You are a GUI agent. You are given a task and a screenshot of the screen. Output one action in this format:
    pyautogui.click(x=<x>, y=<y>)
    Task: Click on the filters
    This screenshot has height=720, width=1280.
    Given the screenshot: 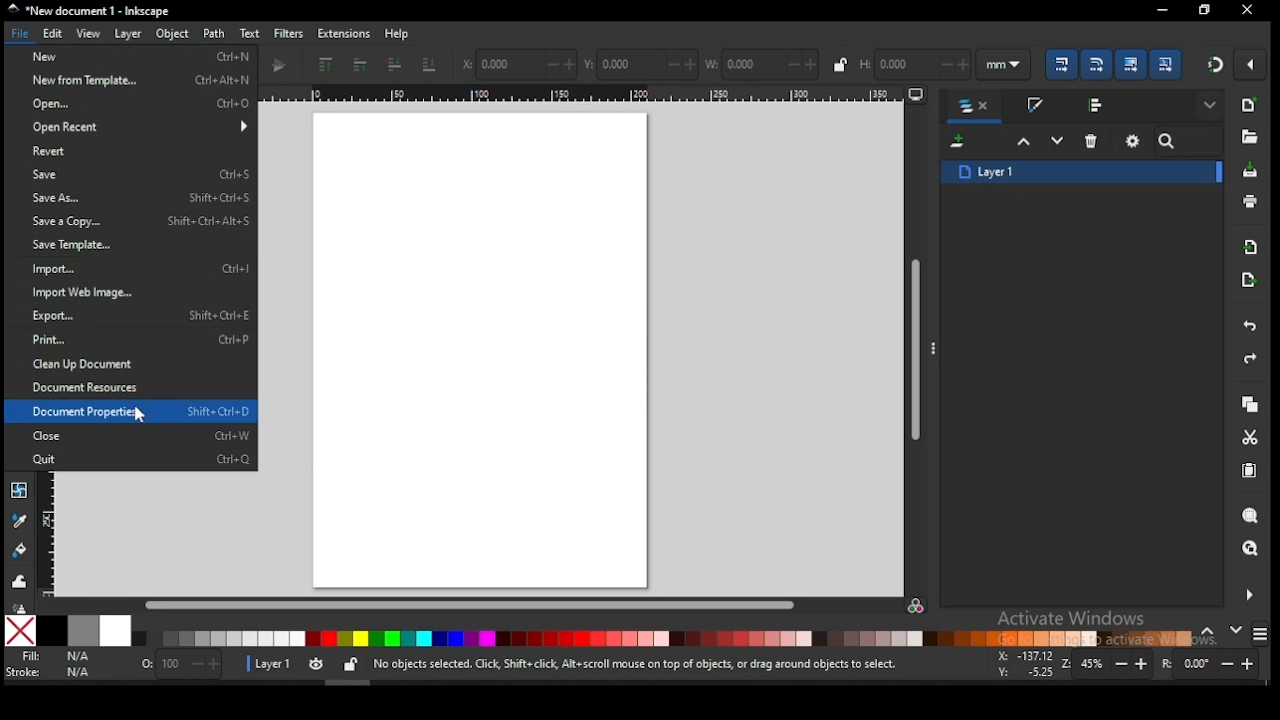 What is the action you would take?
    pyautogui.click(x=287, y=32)
    